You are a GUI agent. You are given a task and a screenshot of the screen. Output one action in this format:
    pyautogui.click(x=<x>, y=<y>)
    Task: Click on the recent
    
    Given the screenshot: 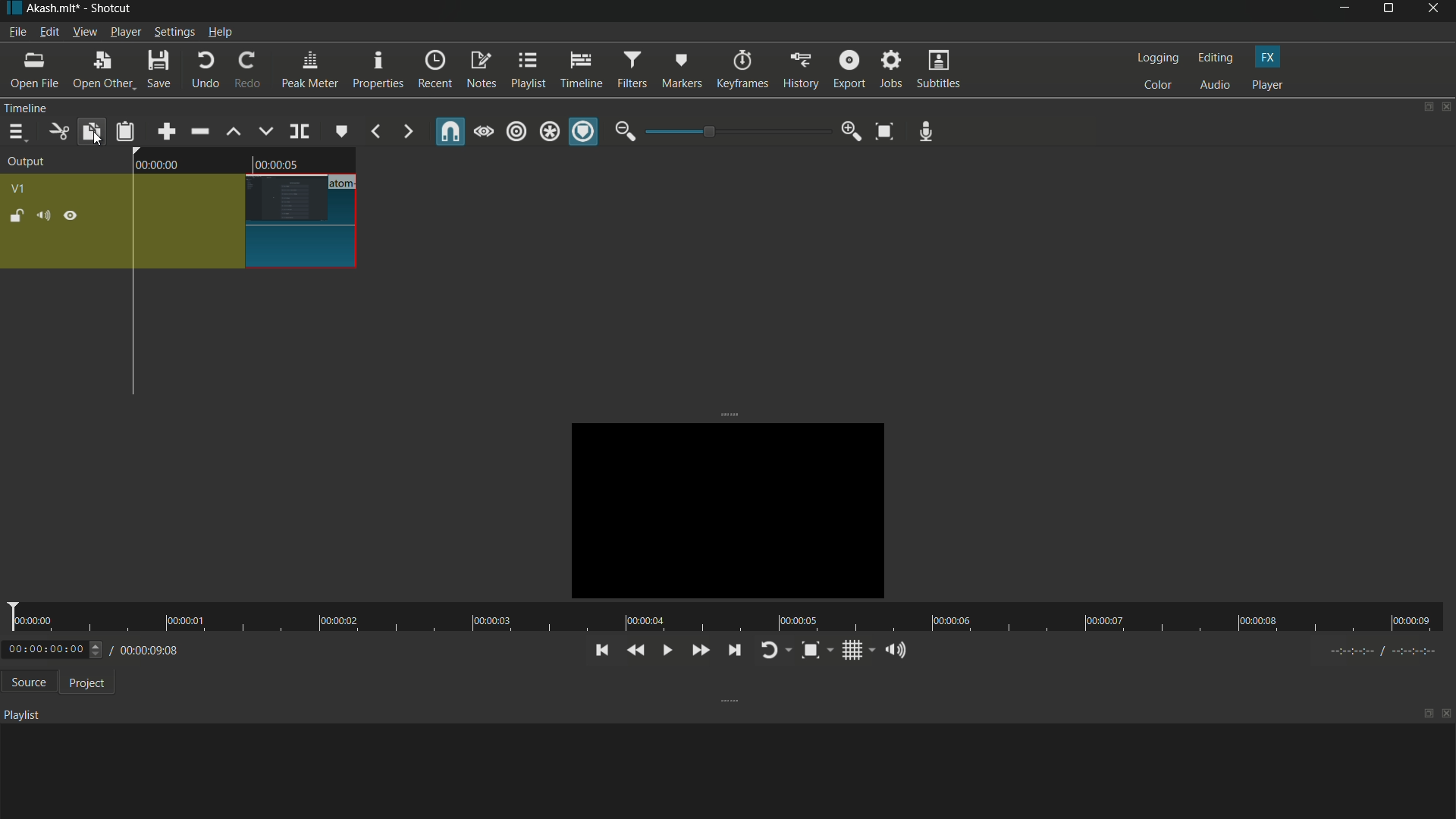 What is the action you would take?
    pyautogui.click(x=434, y=71)
    